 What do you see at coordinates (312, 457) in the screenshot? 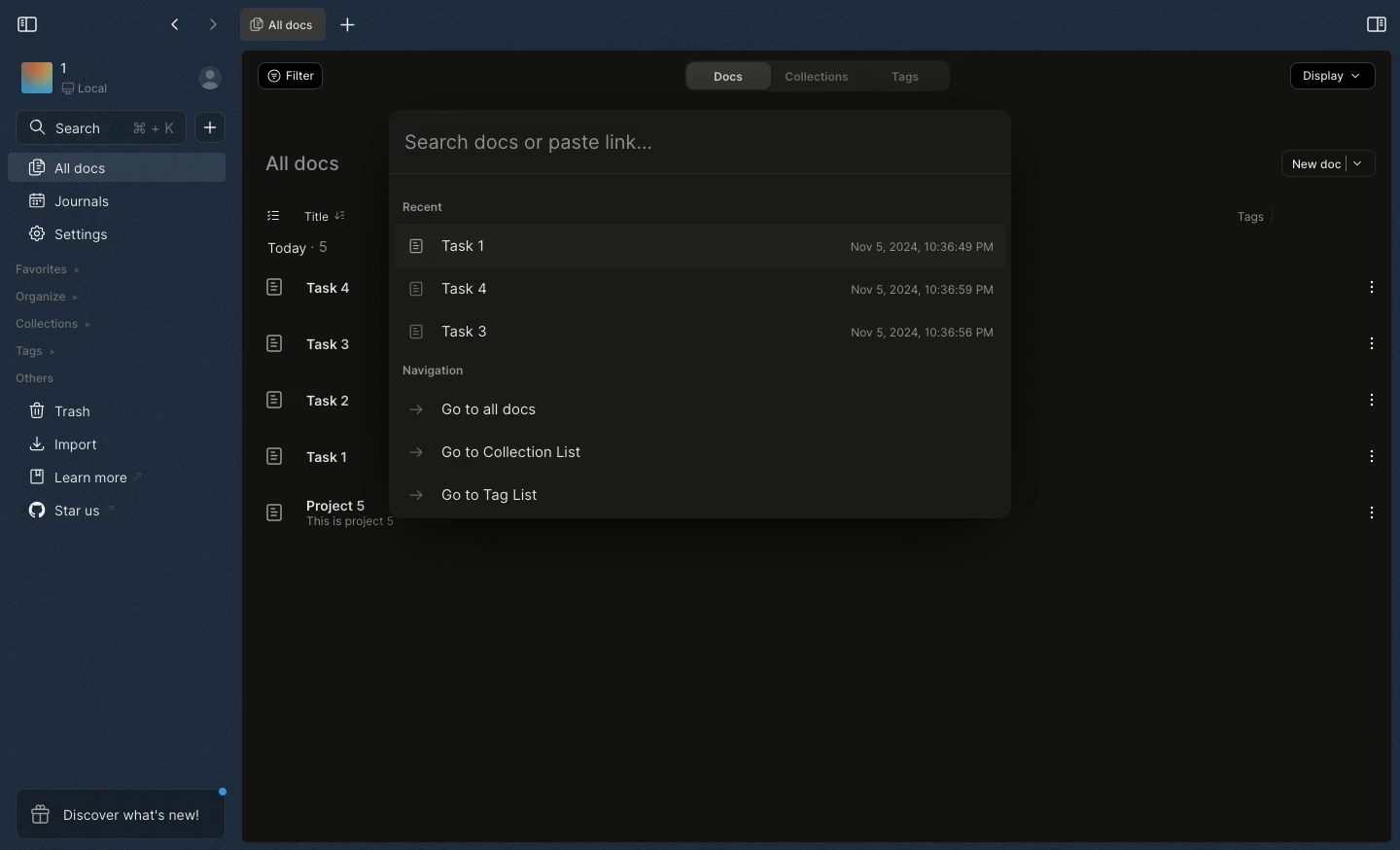
I see `Task 1` at bounding box center [312, 457].